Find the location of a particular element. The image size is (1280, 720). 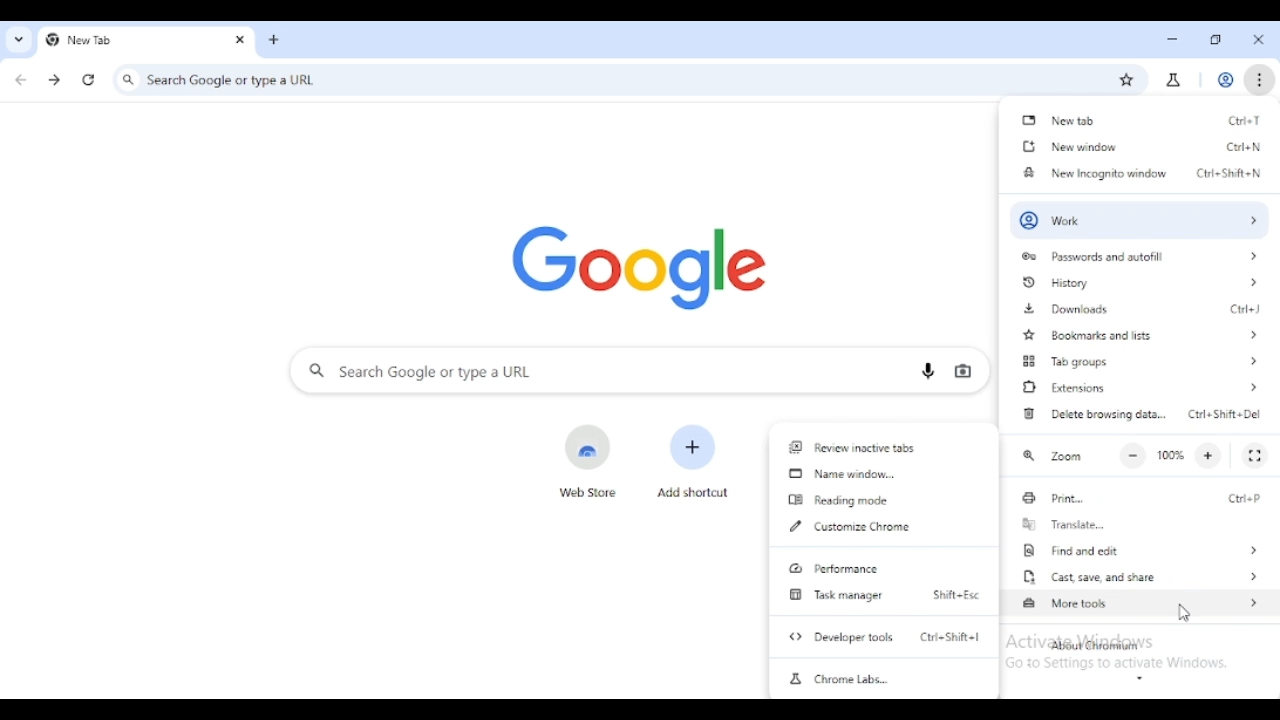

review inactive tabs is located at coordinates (850, 446).